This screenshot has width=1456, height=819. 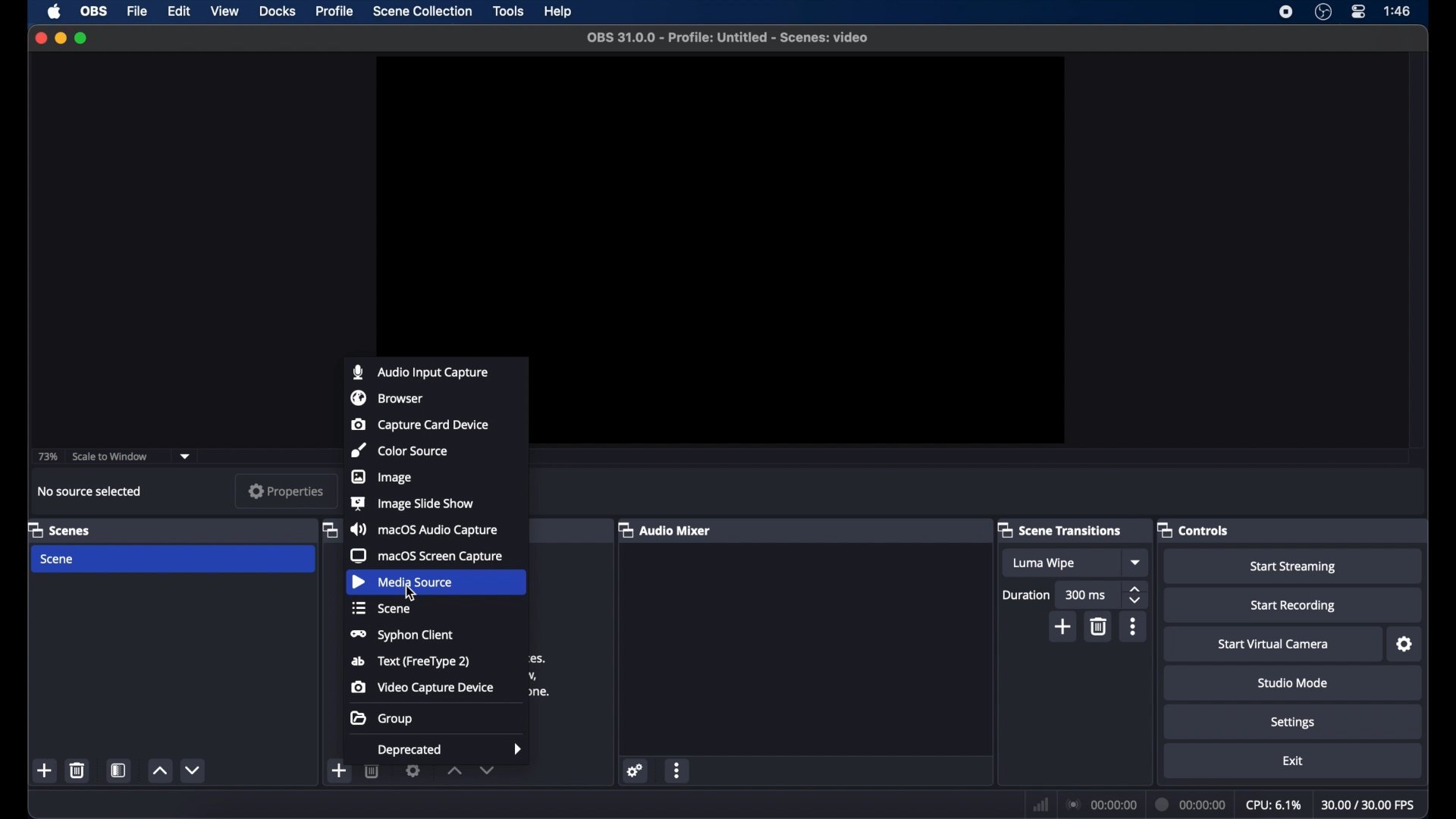 I want to click on settings, so click(x=636, y=770).